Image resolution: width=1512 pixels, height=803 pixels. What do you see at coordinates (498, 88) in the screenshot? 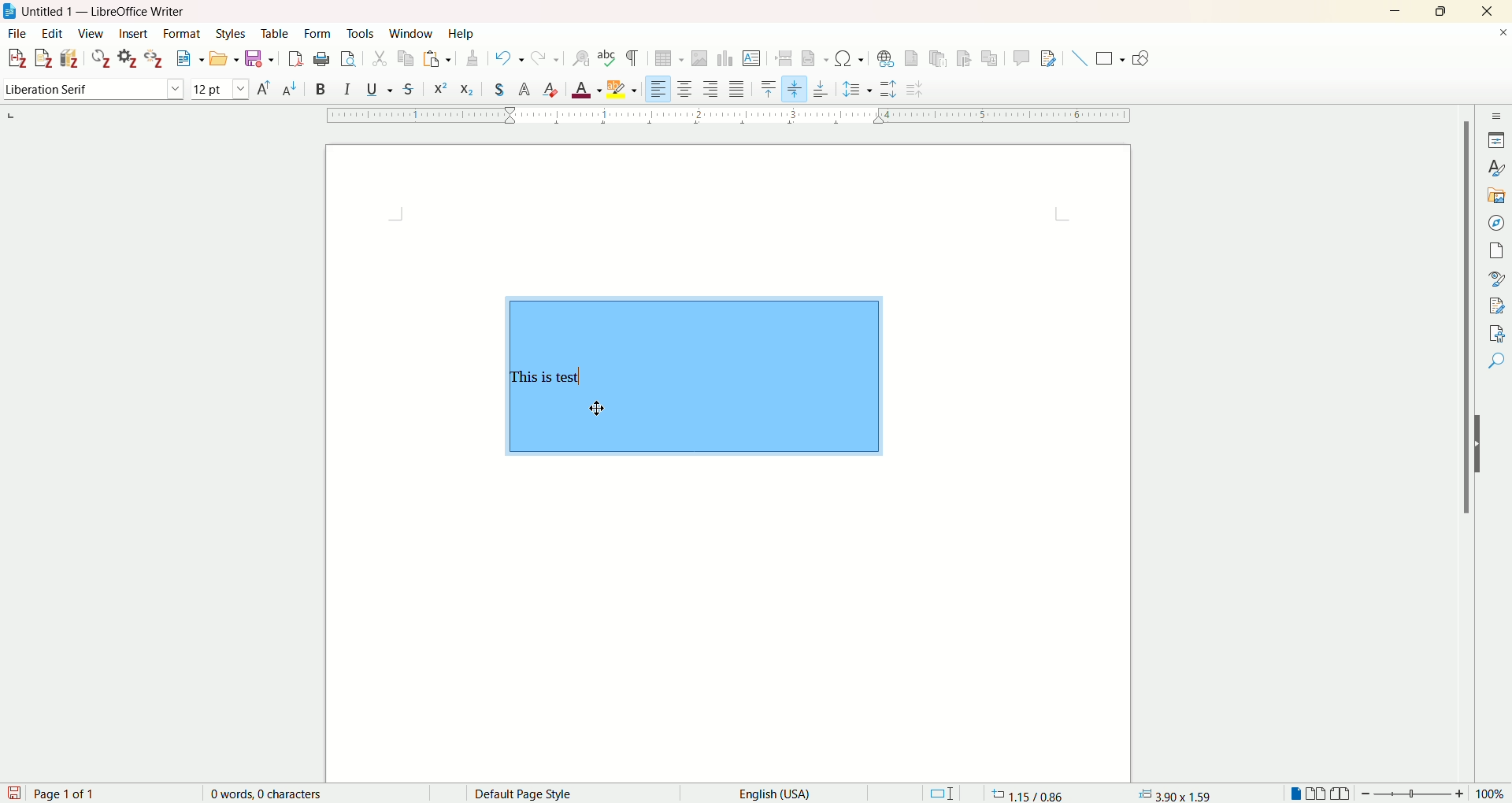
I see `line style` at bounding box center [498, 88].